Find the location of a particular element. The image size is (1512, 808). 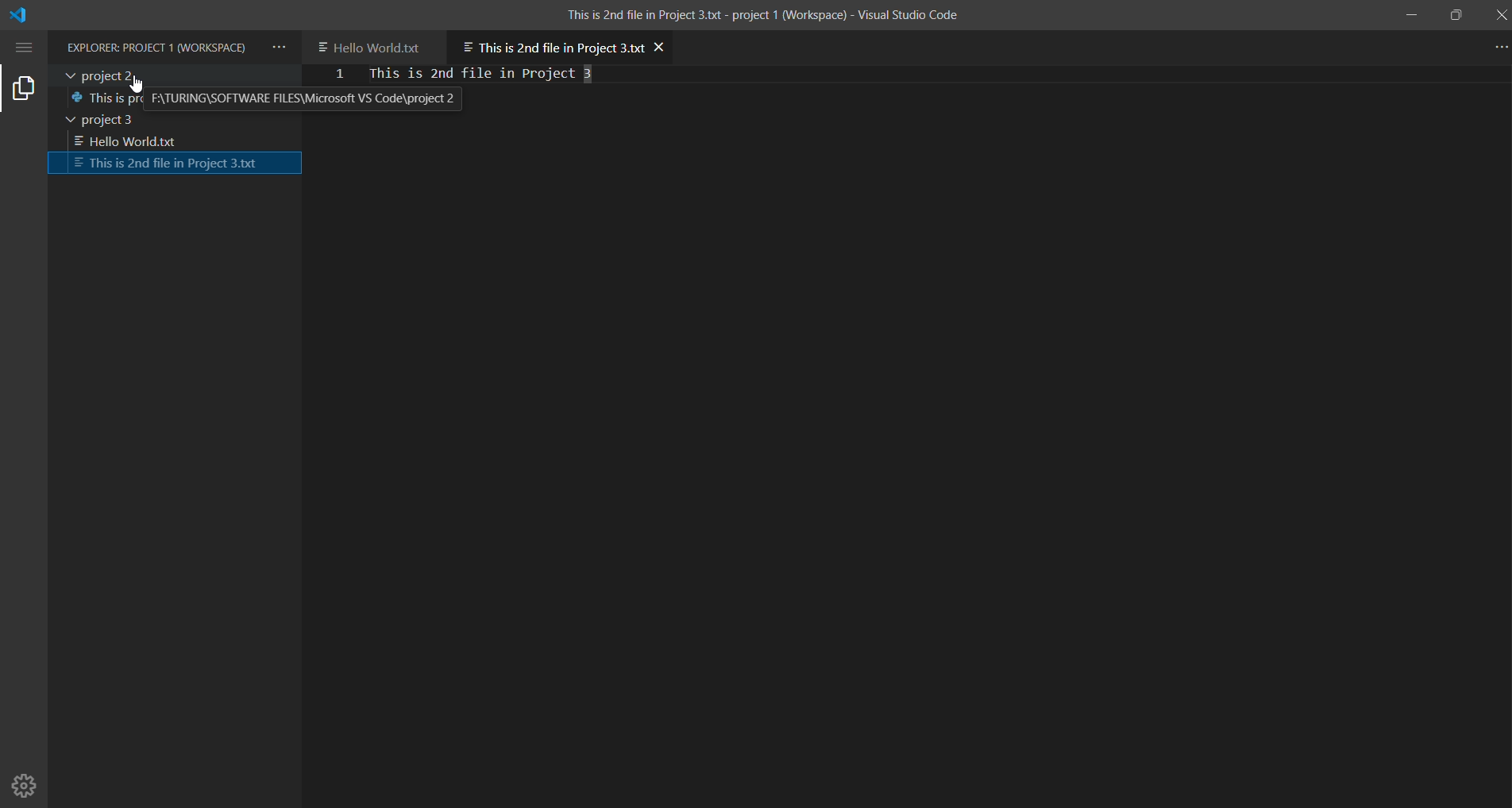

project 3 is located at coordinates (125, 121).